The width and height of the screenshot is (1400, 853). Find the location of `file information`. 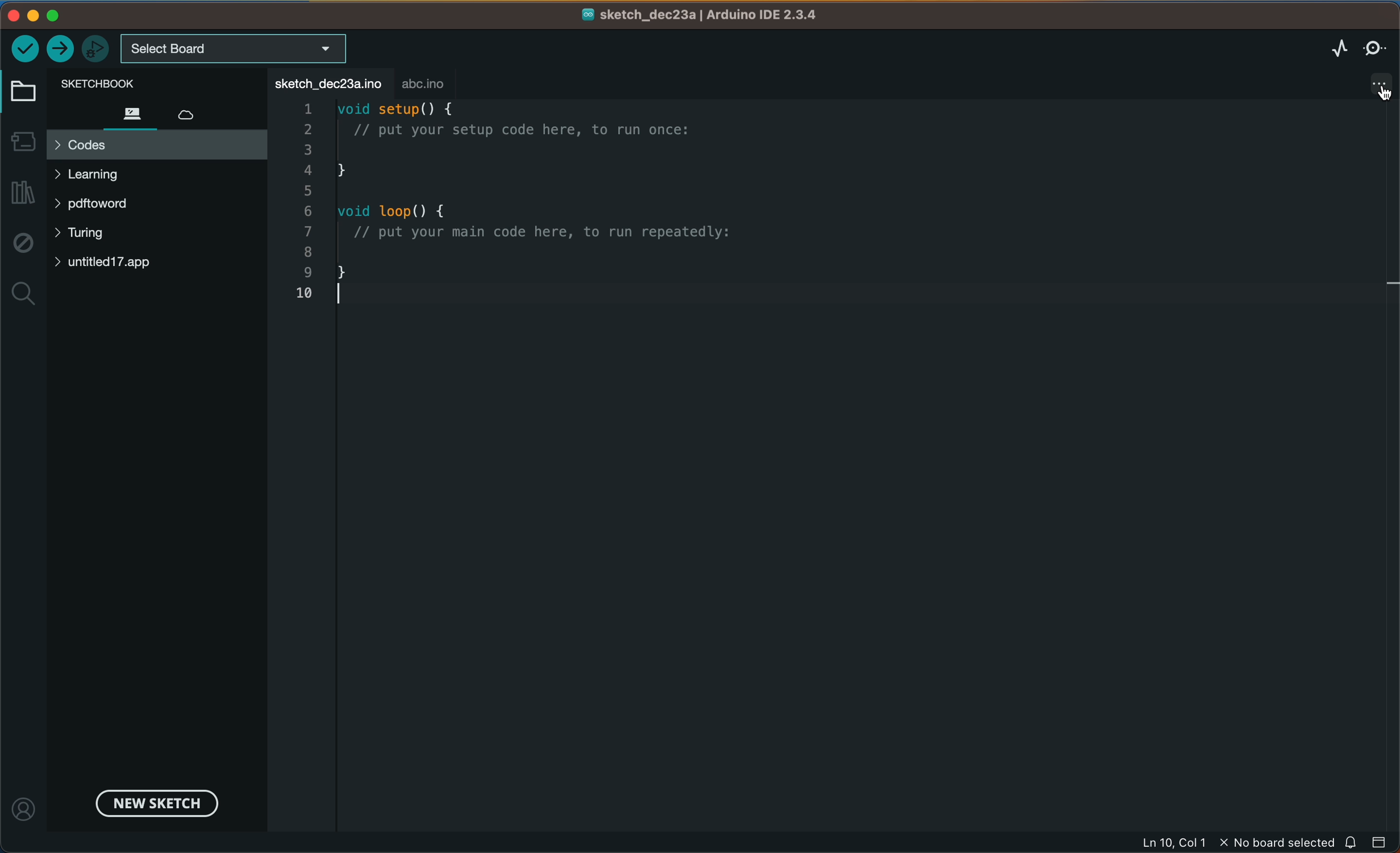

file information is located at coordinates (1235, 842).